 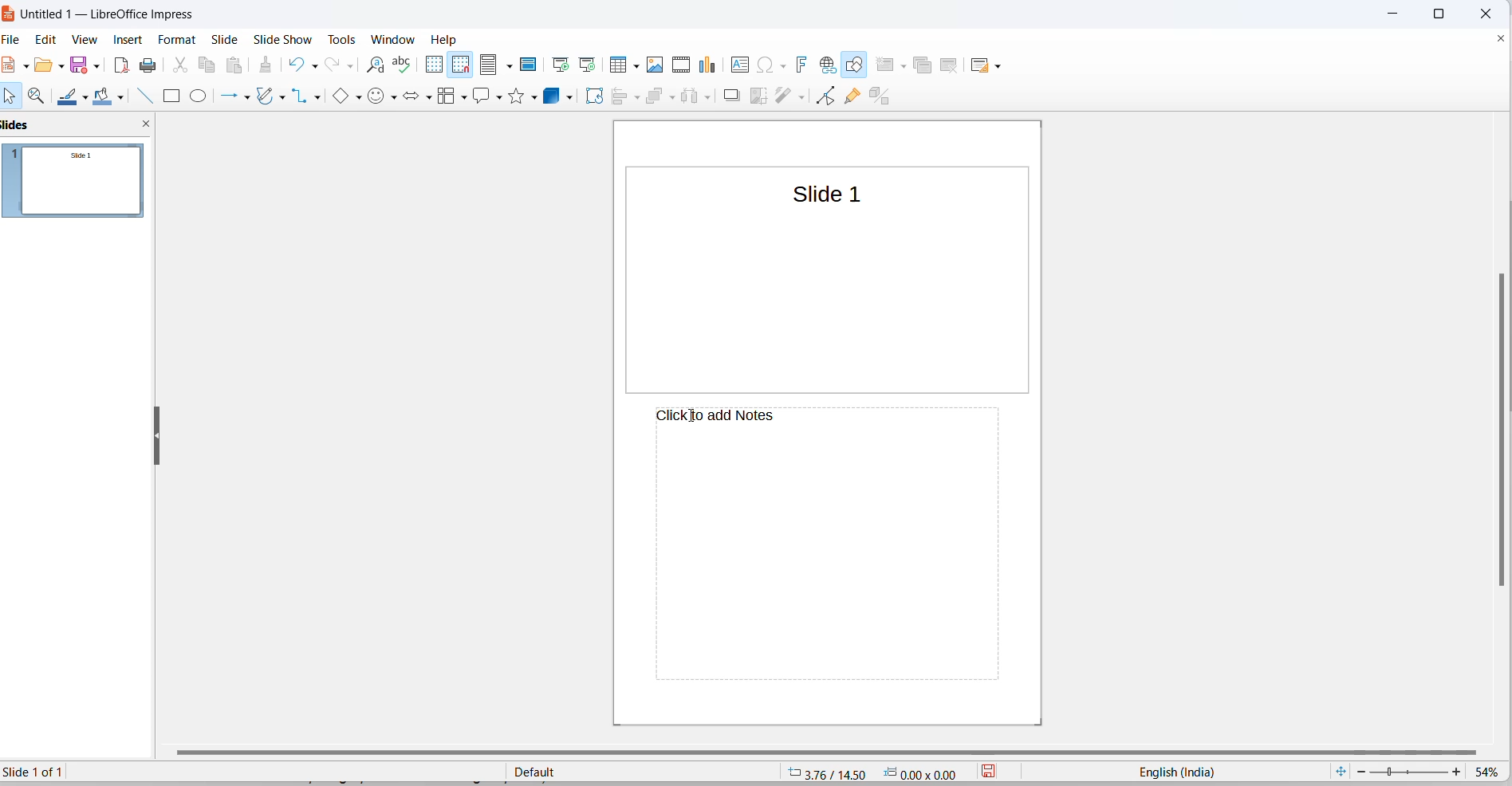 I want to click on distribute object, so click(x=688, y=98).